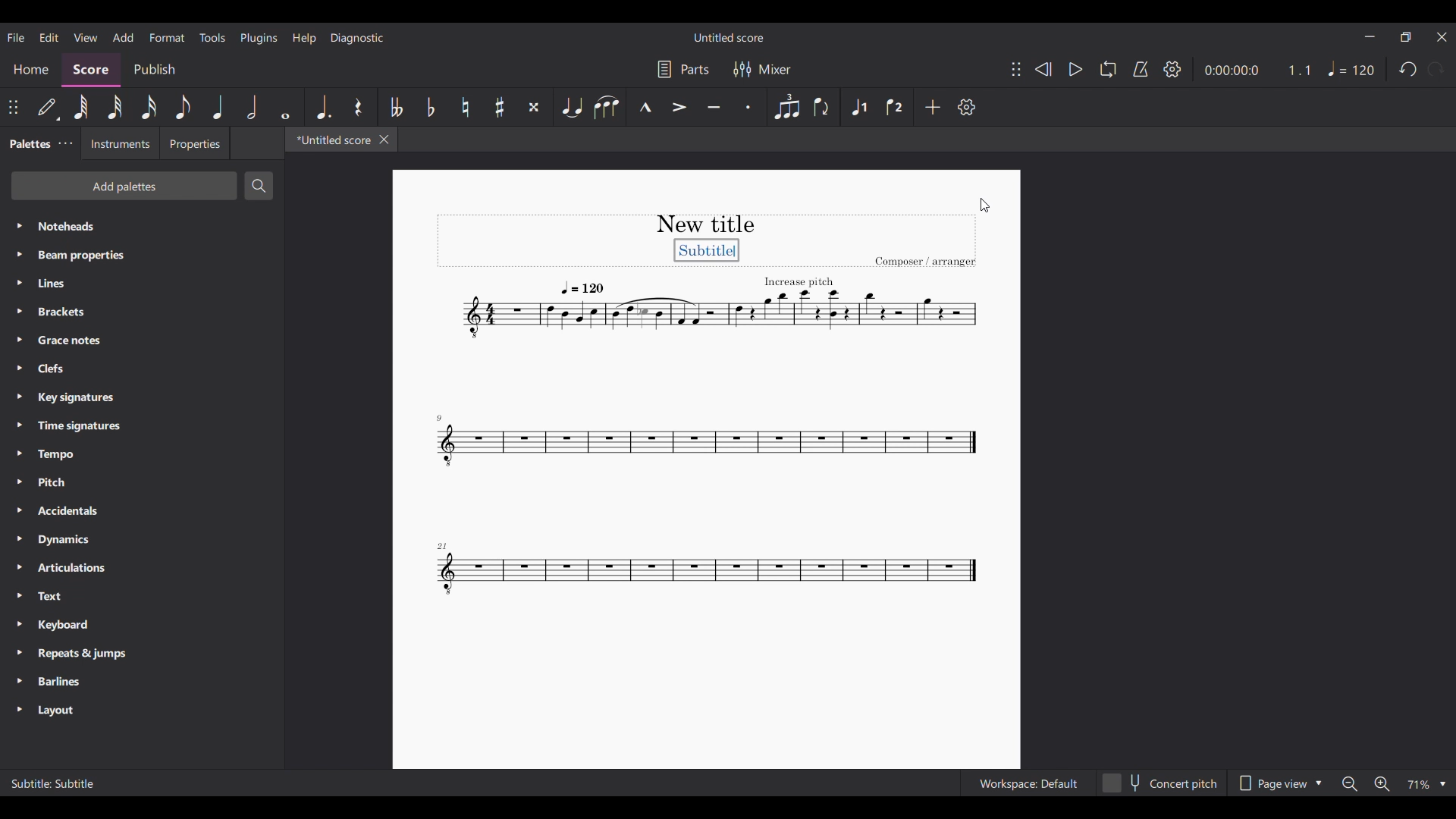  What do you see at coordinates (142, 312) in the screenshot?
I see `Brackets` at bounding box center [142, 312].